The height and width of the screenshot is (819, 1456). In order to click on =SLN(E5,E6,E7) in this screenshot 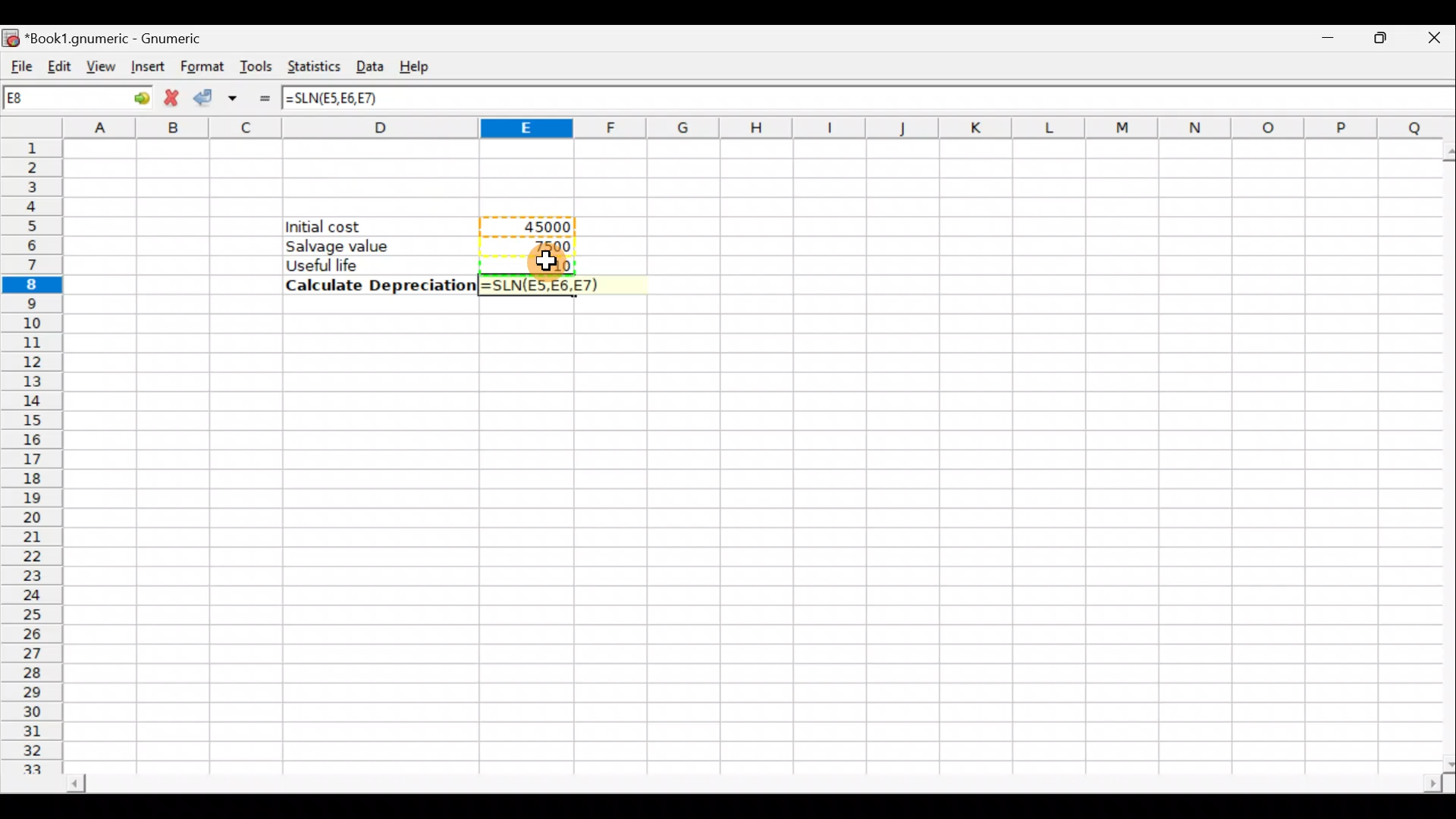, I will do `click(538, 285)`.